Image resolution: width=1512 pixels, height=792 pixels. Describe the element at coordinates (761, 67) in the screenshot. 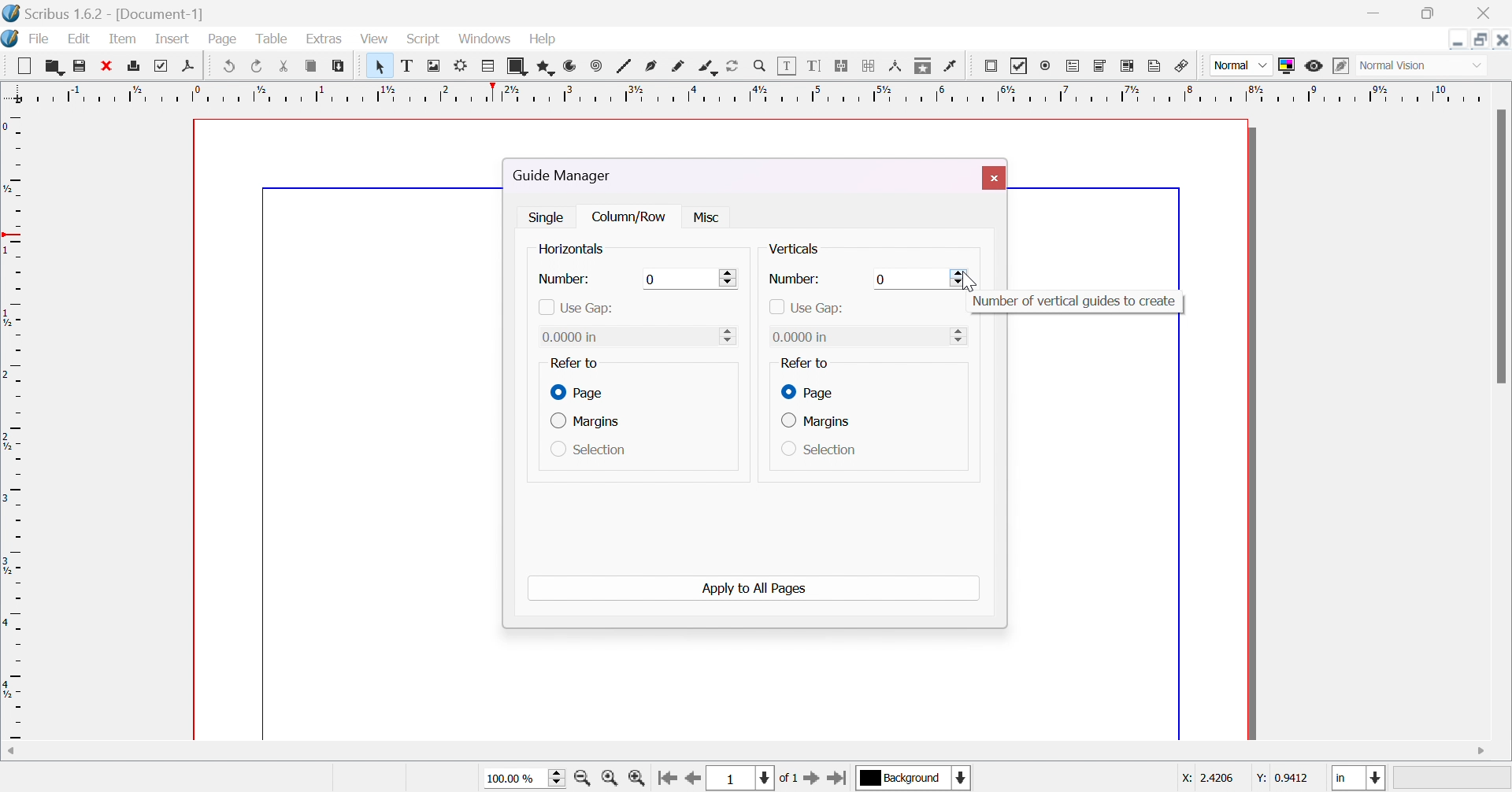

I see `zoom in / zoom out` at that location.